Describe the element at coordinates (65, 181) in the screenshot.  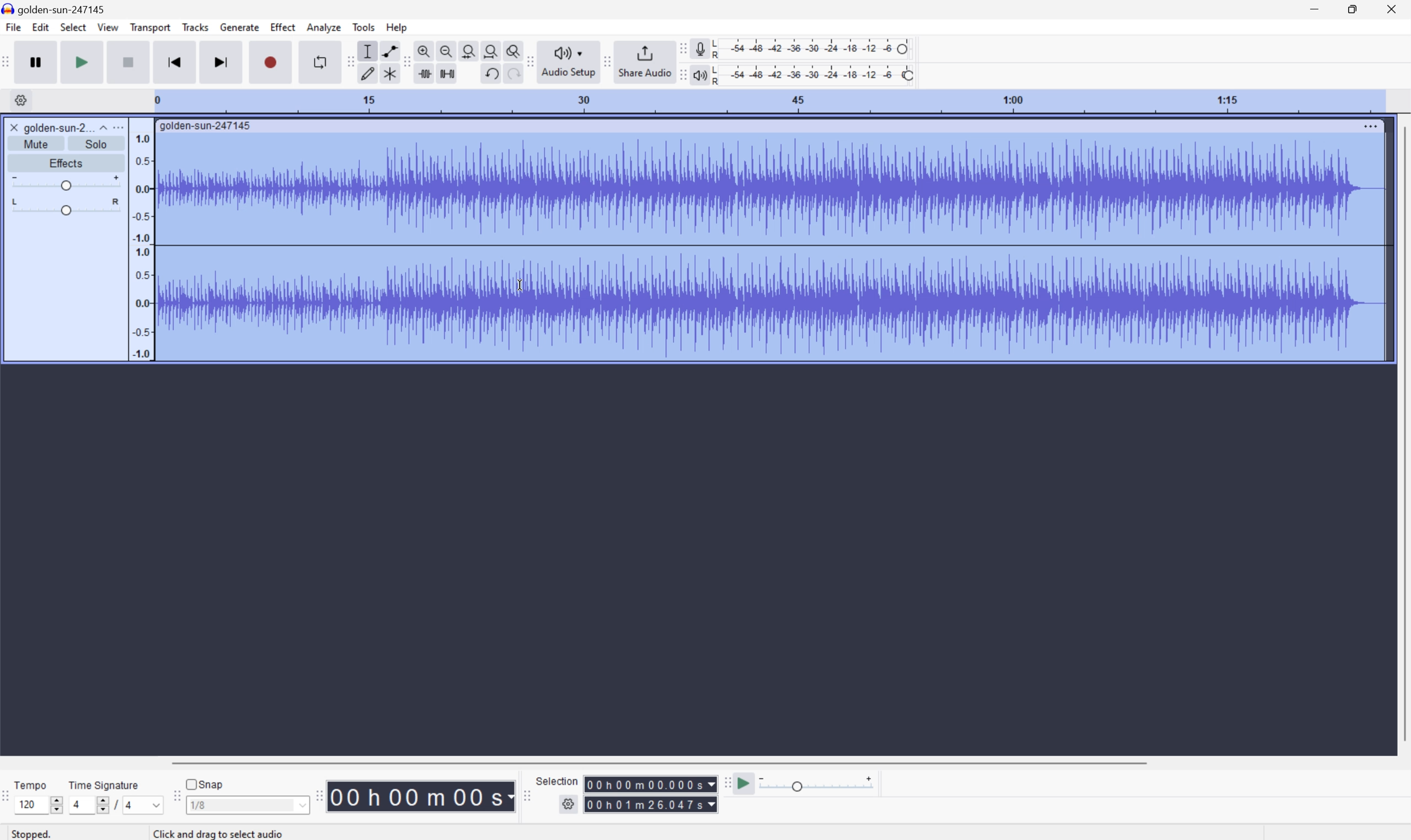
I see `Slider` at that location.